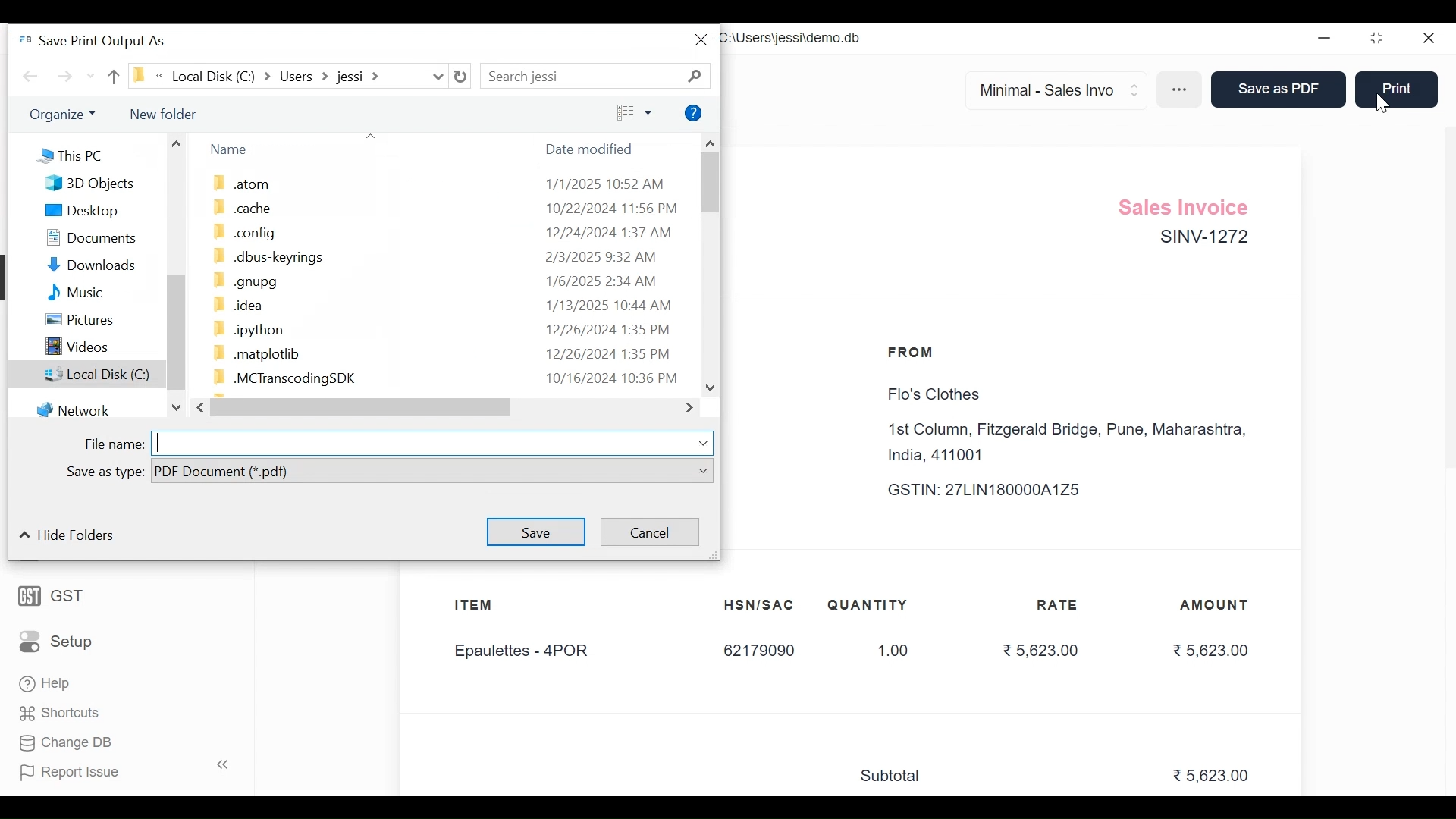  Describe the element at coordinates (704, 470) in the screenshot. I see `Expand` at that location.